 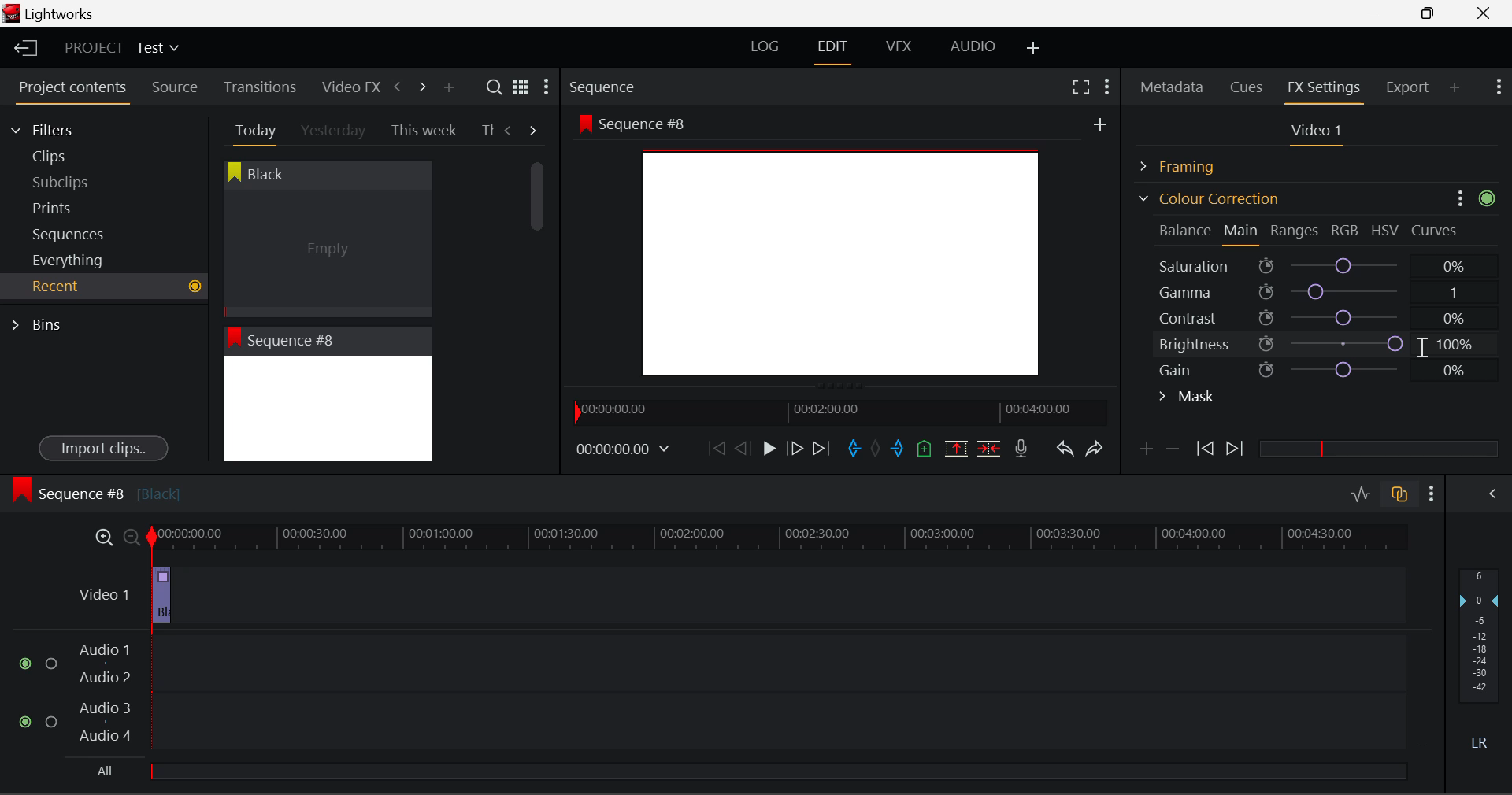 I want to click on Sequence Preview Section, so click(x=606, y=88).